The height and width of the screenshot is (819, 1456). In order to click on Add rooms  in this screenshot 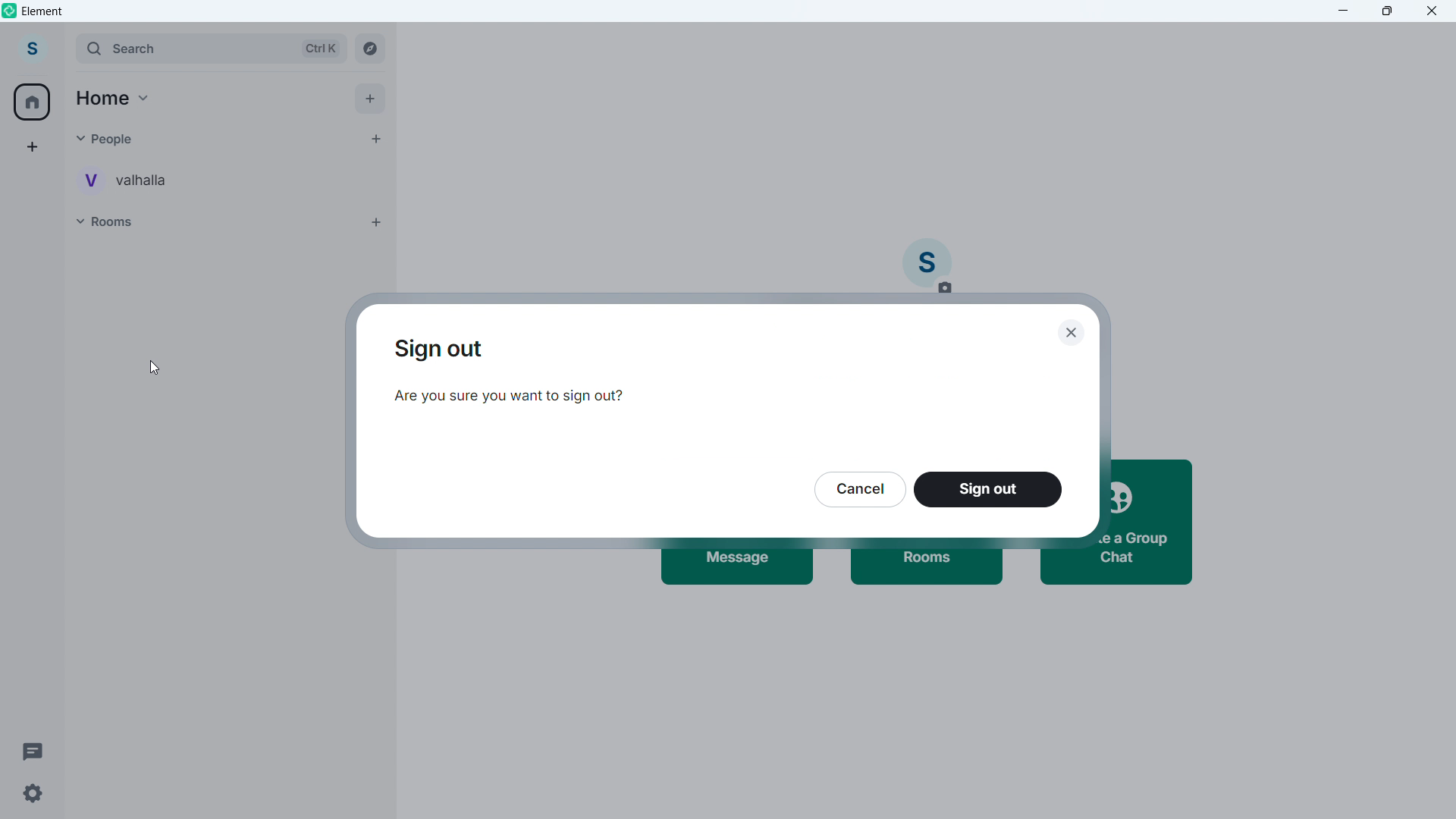, I will do `click(378, 222)`.